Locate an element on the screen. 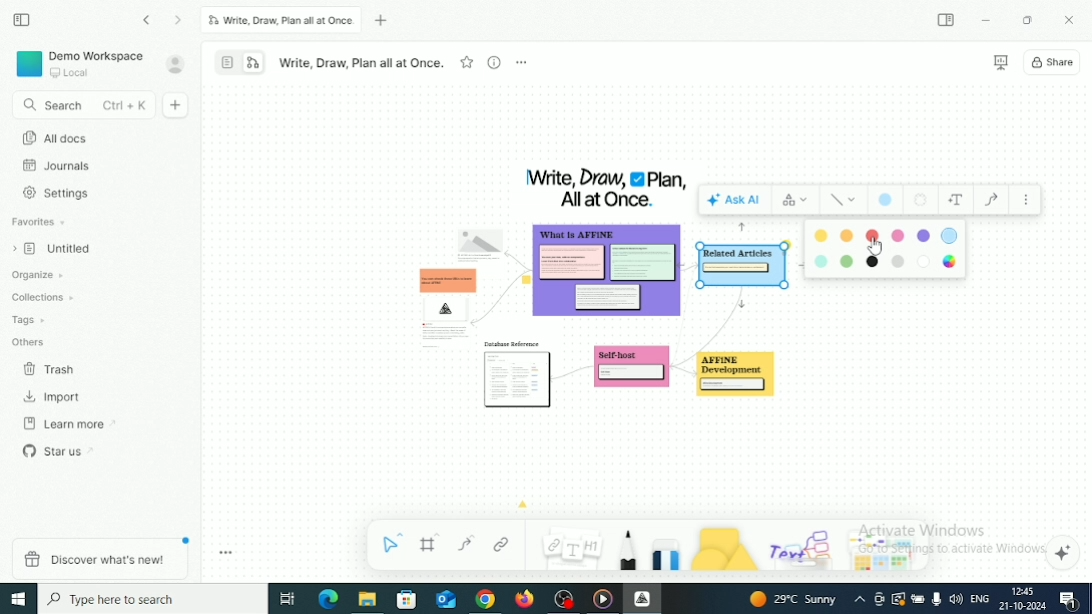 This screenshot has height=614, width=1092. Draw connector is located at coordinates (991, 200).